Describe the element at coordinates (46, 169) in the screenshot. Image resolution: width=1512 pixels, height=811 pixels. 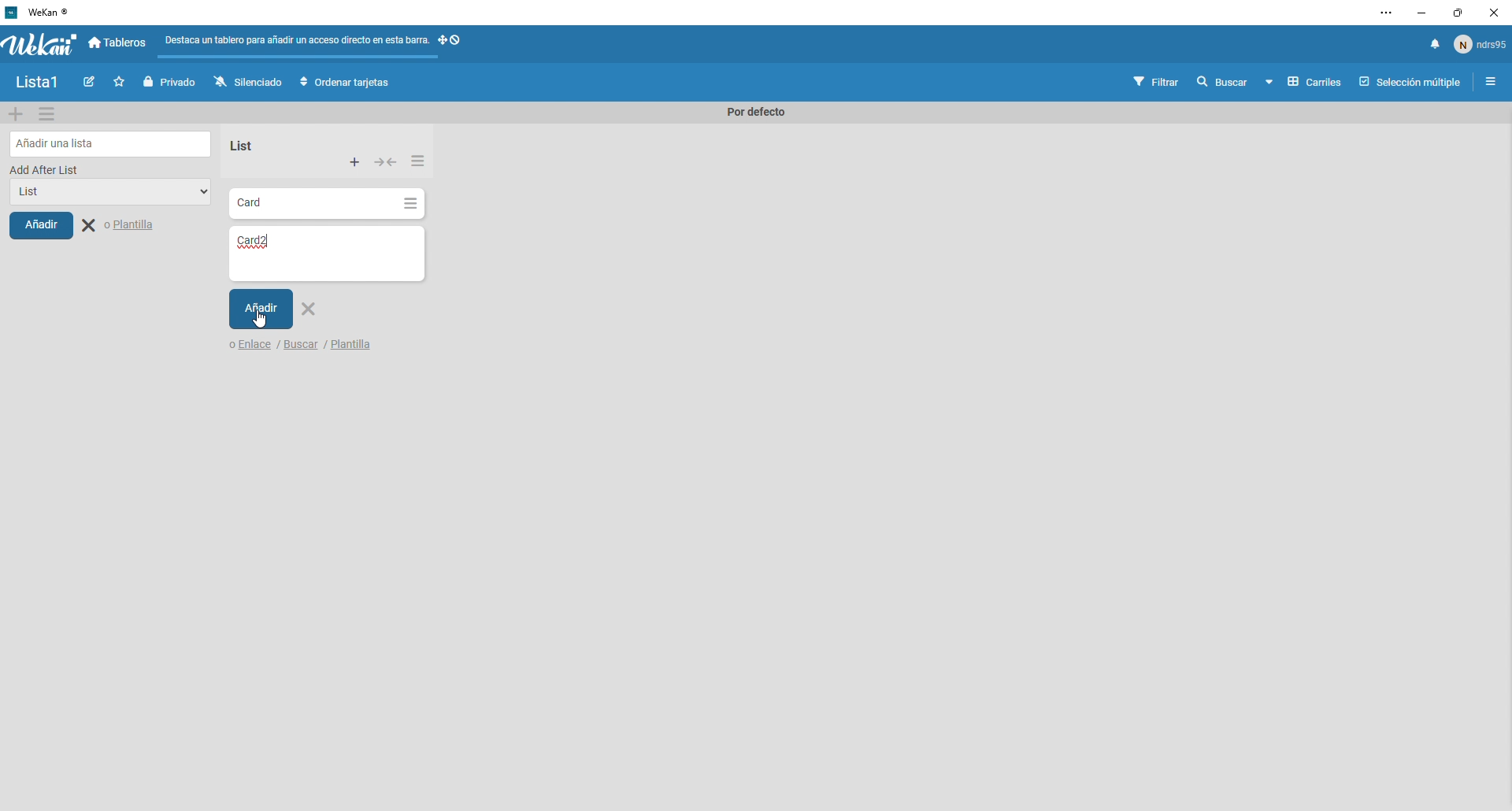
I see `Add after list` at that location.